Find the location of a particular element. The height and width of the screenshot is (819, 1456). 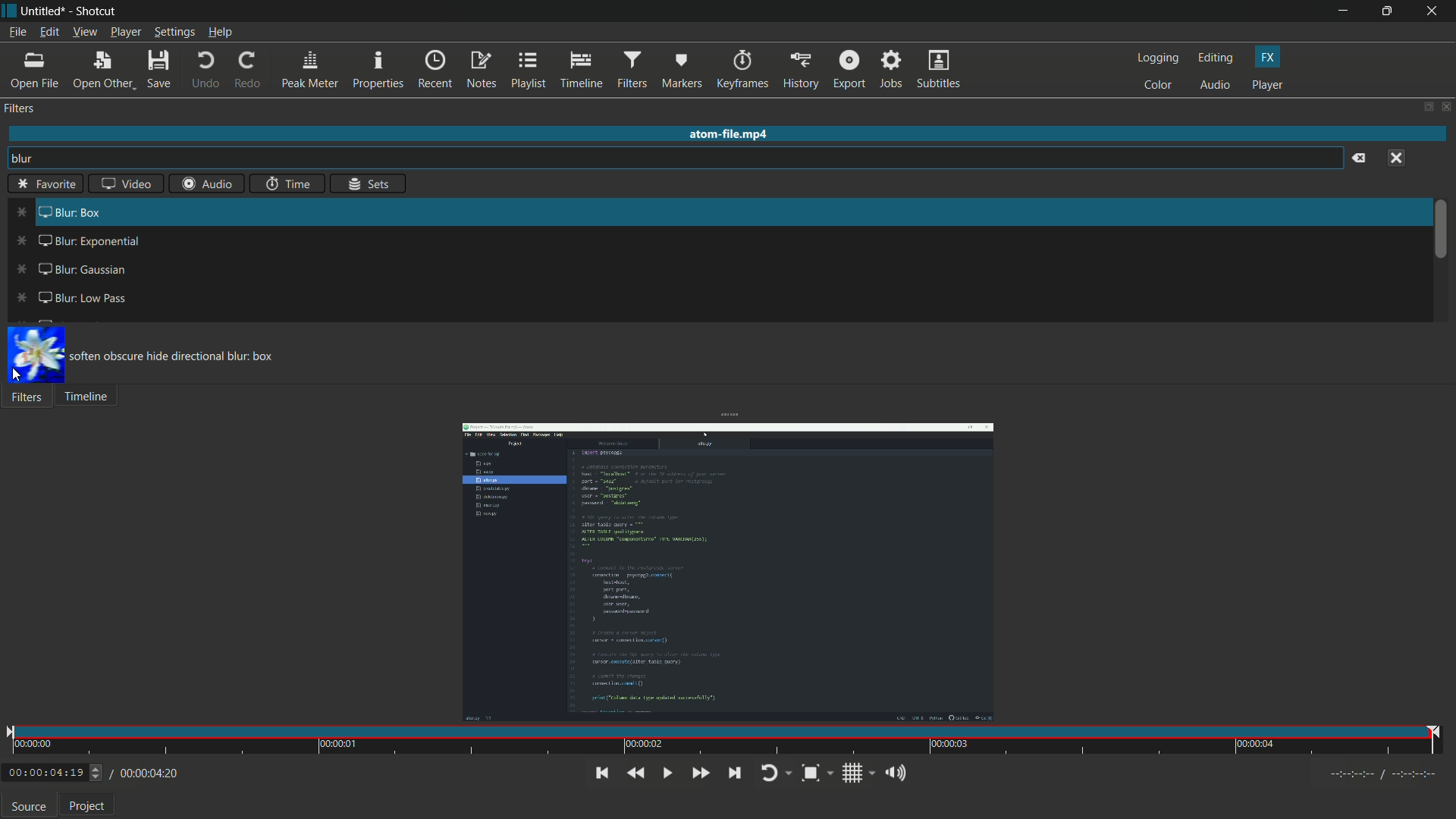

file menu is located at coordinates (17, 34).